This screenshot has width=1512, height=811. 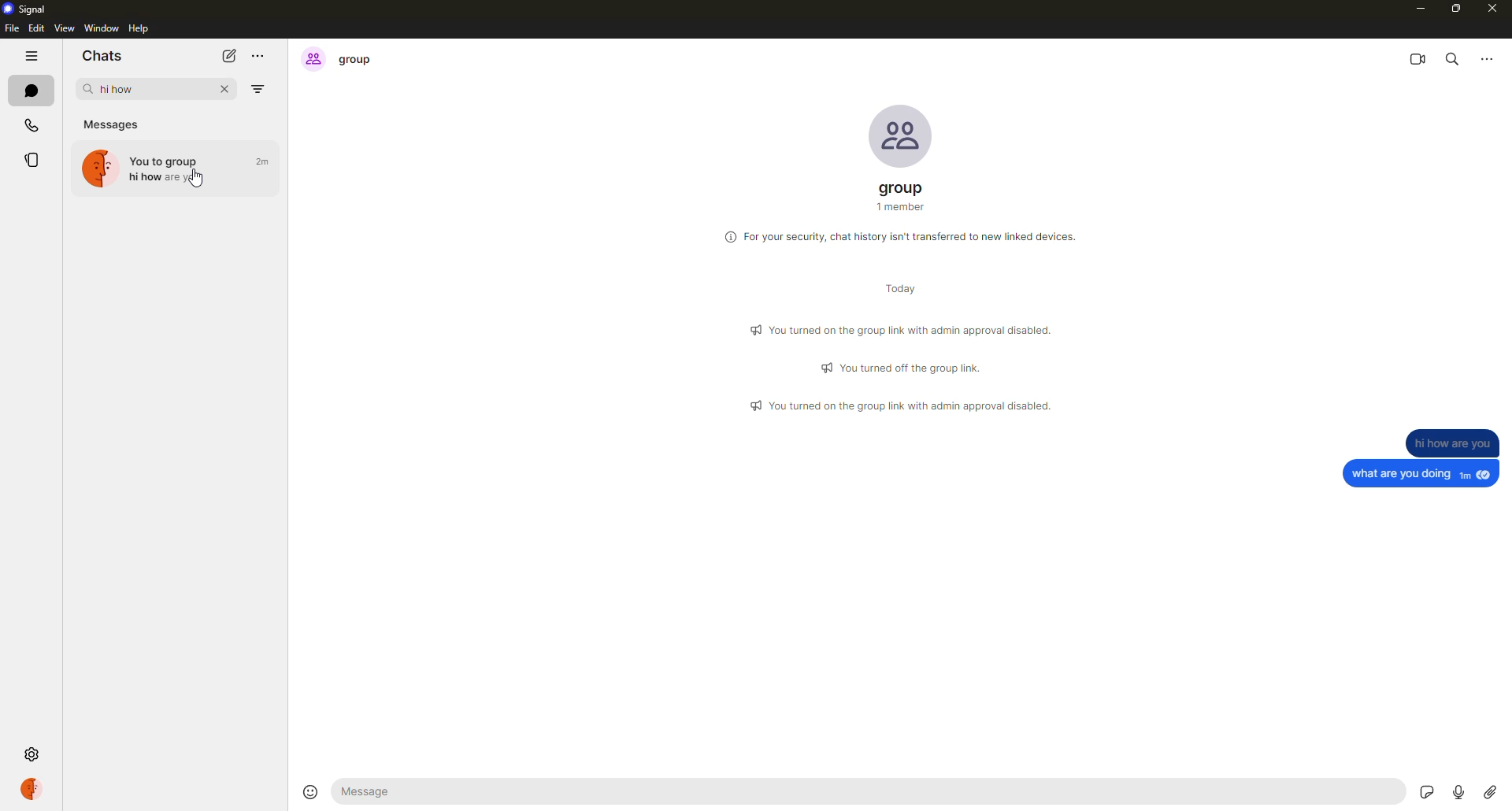 What do you see at coordinates (101, 28) in the screenshot?
I see `window` at bounding box center [101, 28].